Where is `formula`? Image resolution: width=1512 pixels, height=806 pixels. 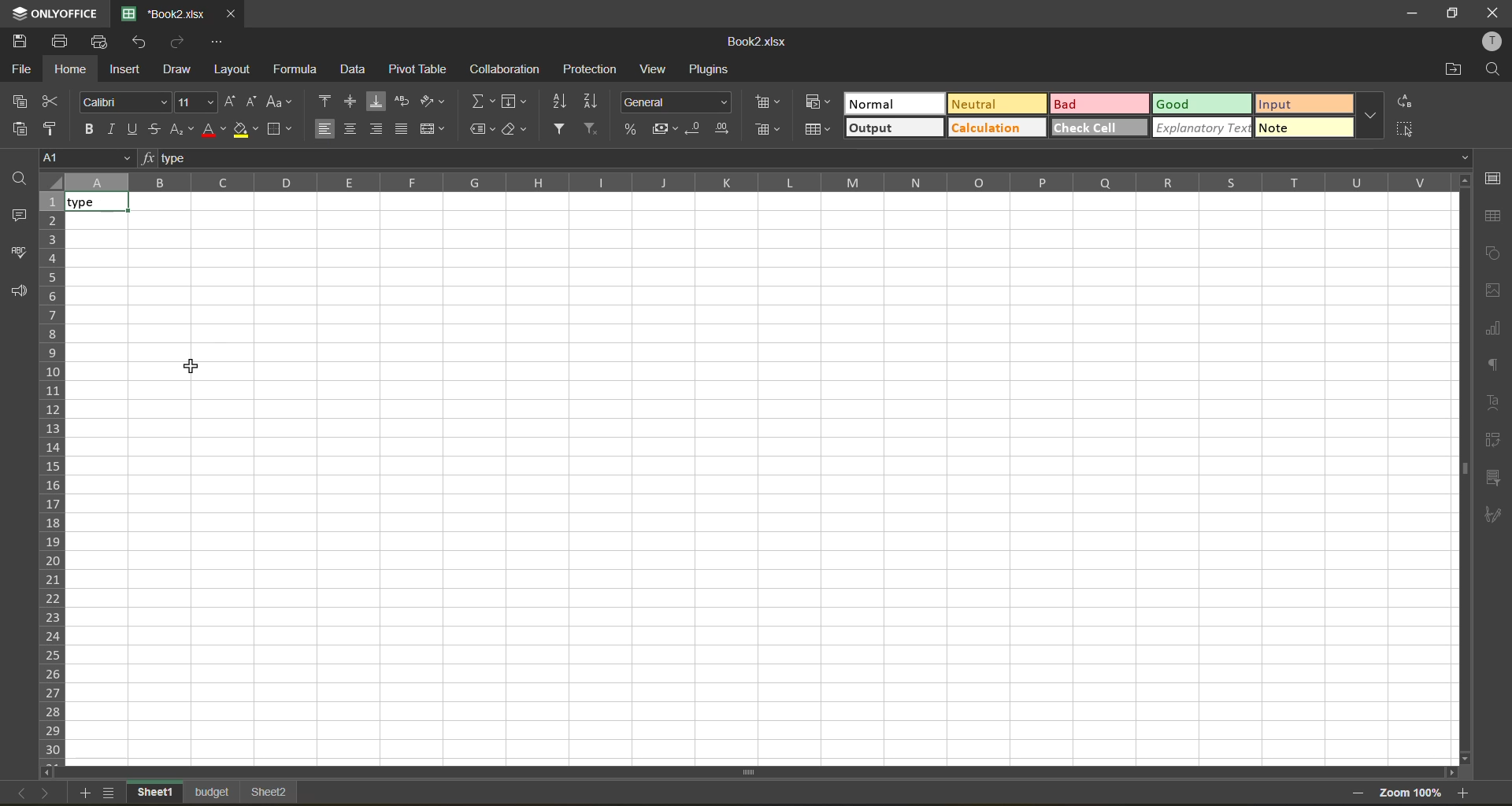
formula is located at coordinates (301, 68).